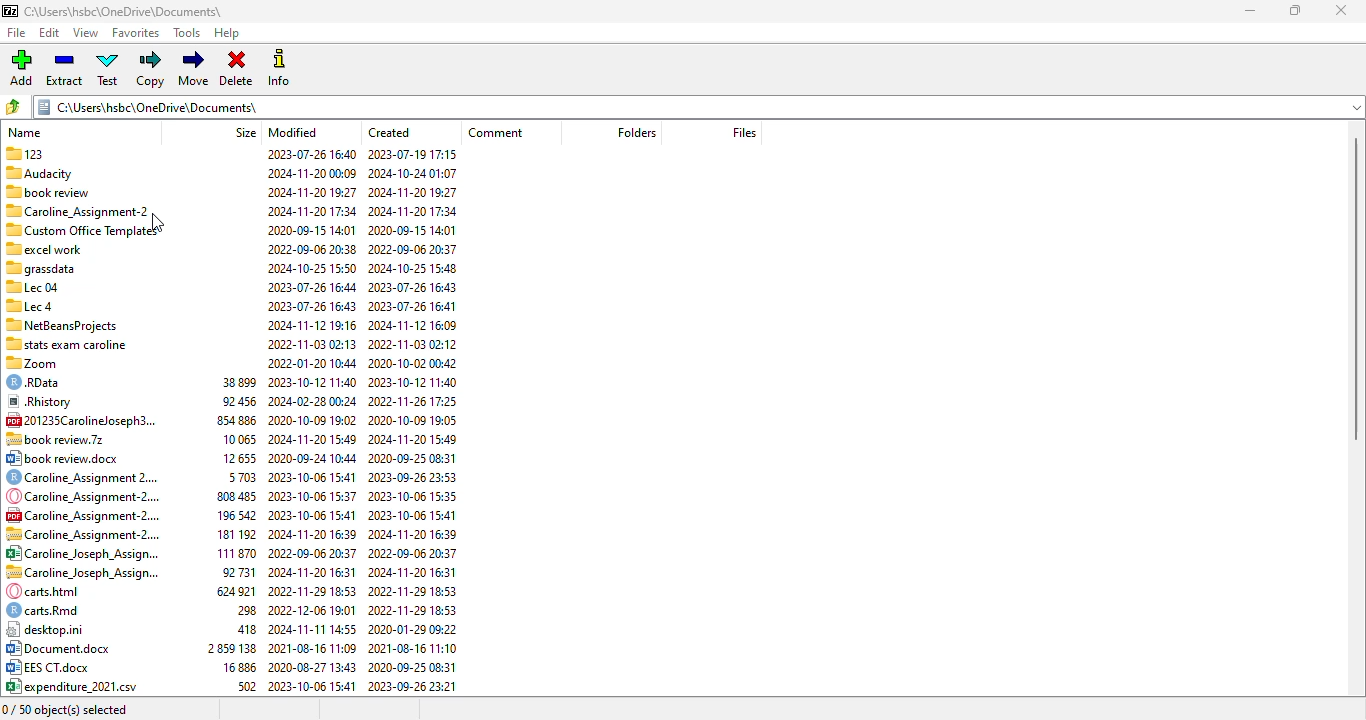 This screenshot has height=720, width=1366. What do you see at coordinates (415, 401) in the screenshot?
I see `2022-11-26 17:25` at bounding box center [415, 401].